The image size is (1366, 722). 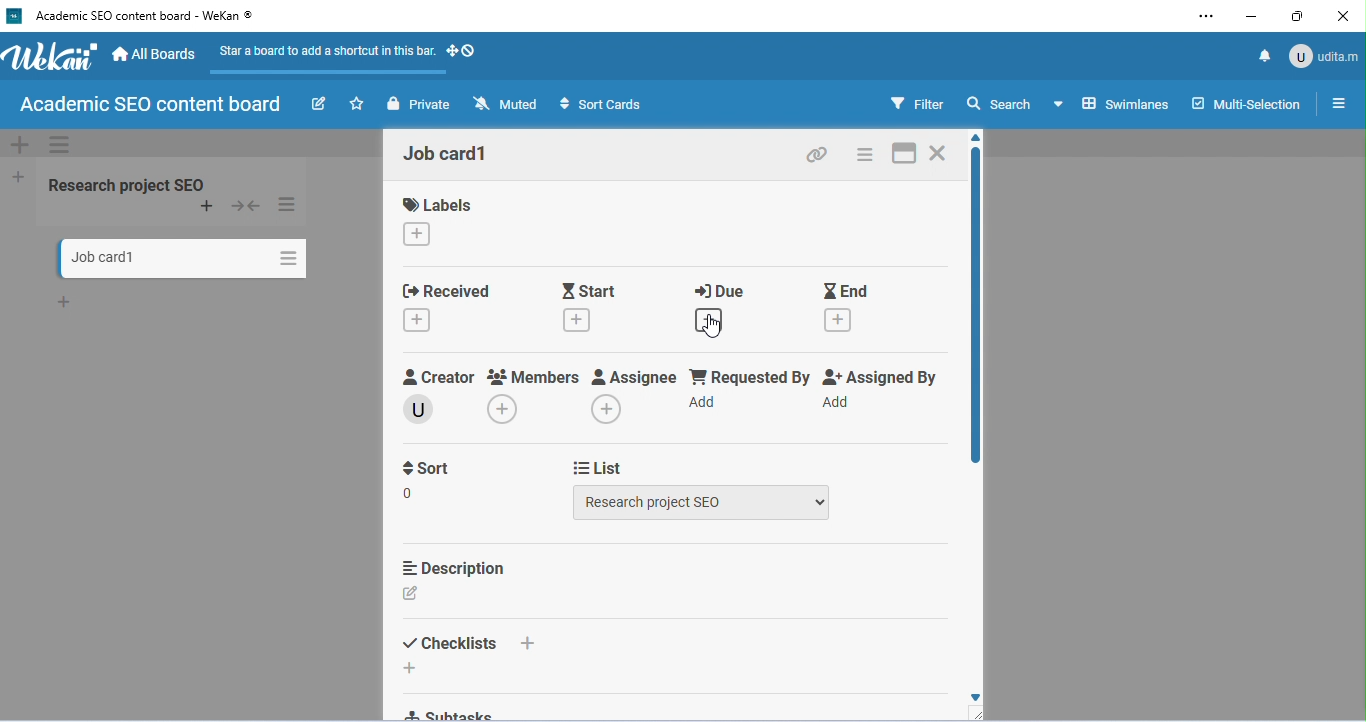 What do you see at coordinates (20, 178) in the screenshot?
I see `add list` at bounding box center [20, 178].